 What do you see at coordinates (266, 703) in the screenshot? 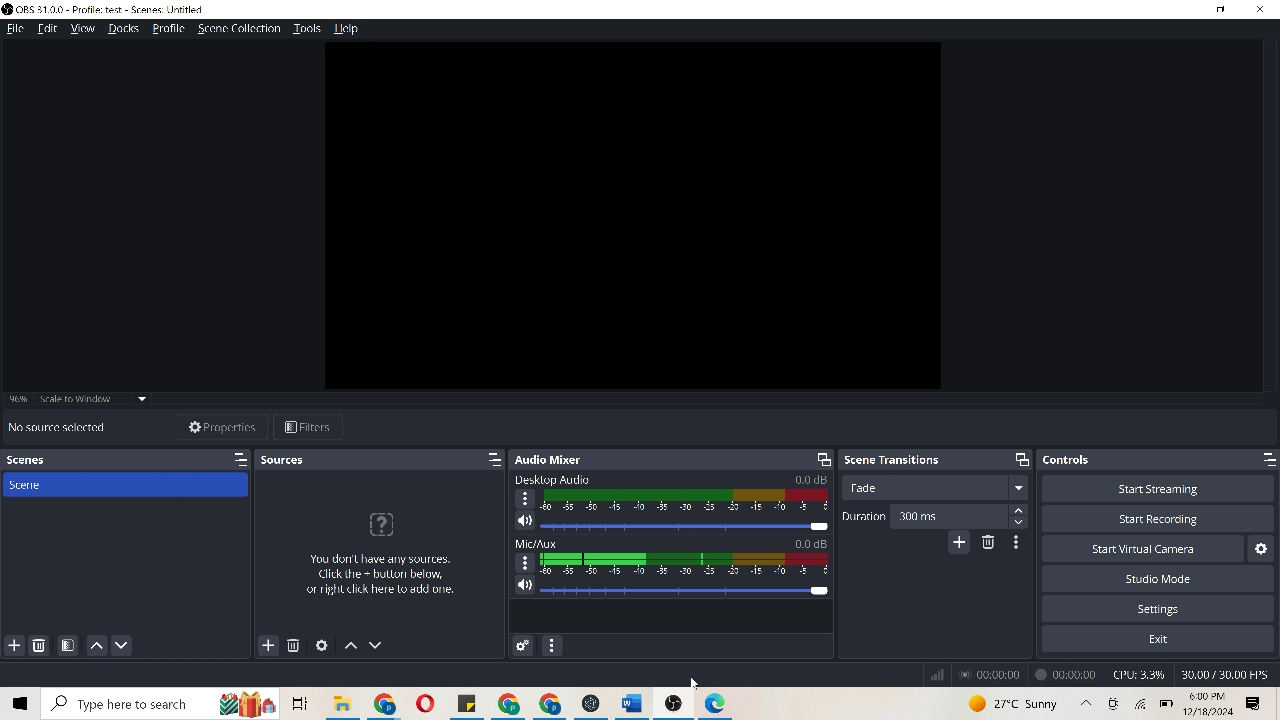
I see `icons` at bounding box center [266, 703].